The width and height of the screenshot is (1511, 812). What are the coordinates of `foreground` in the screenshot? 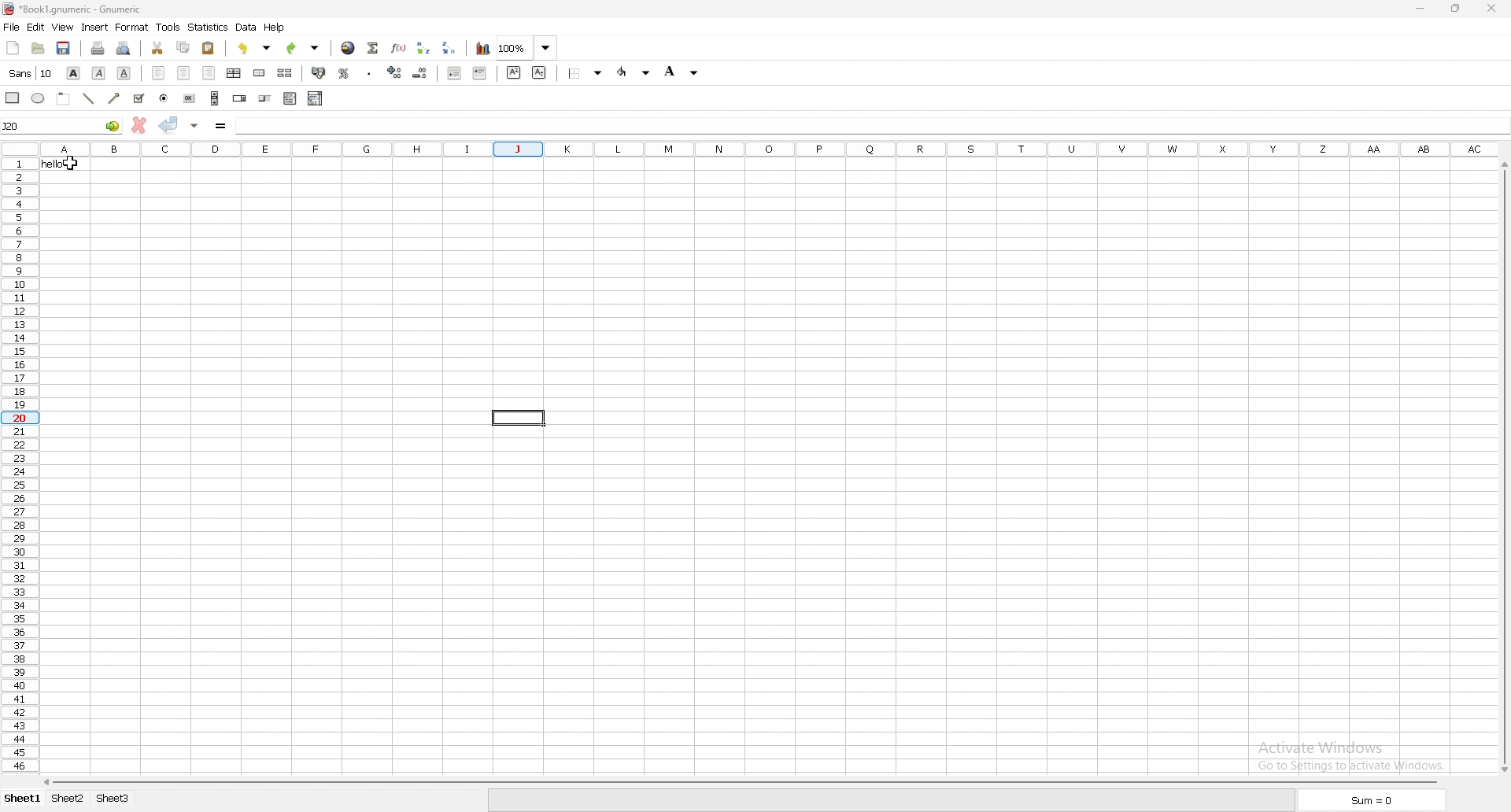 It's located at (683, 70).